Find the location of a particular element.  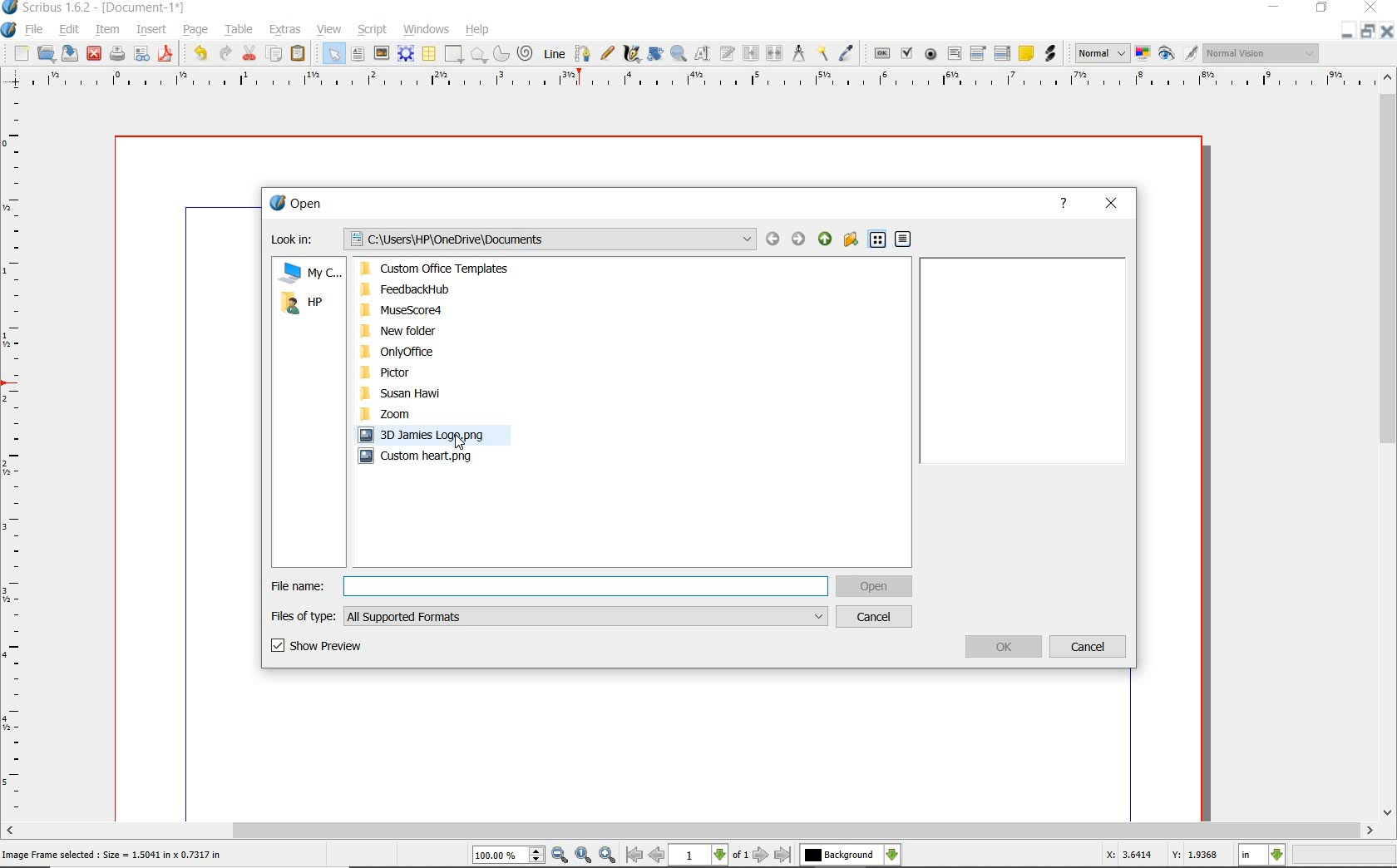

PC Folders is located at coordinates (460, 340).